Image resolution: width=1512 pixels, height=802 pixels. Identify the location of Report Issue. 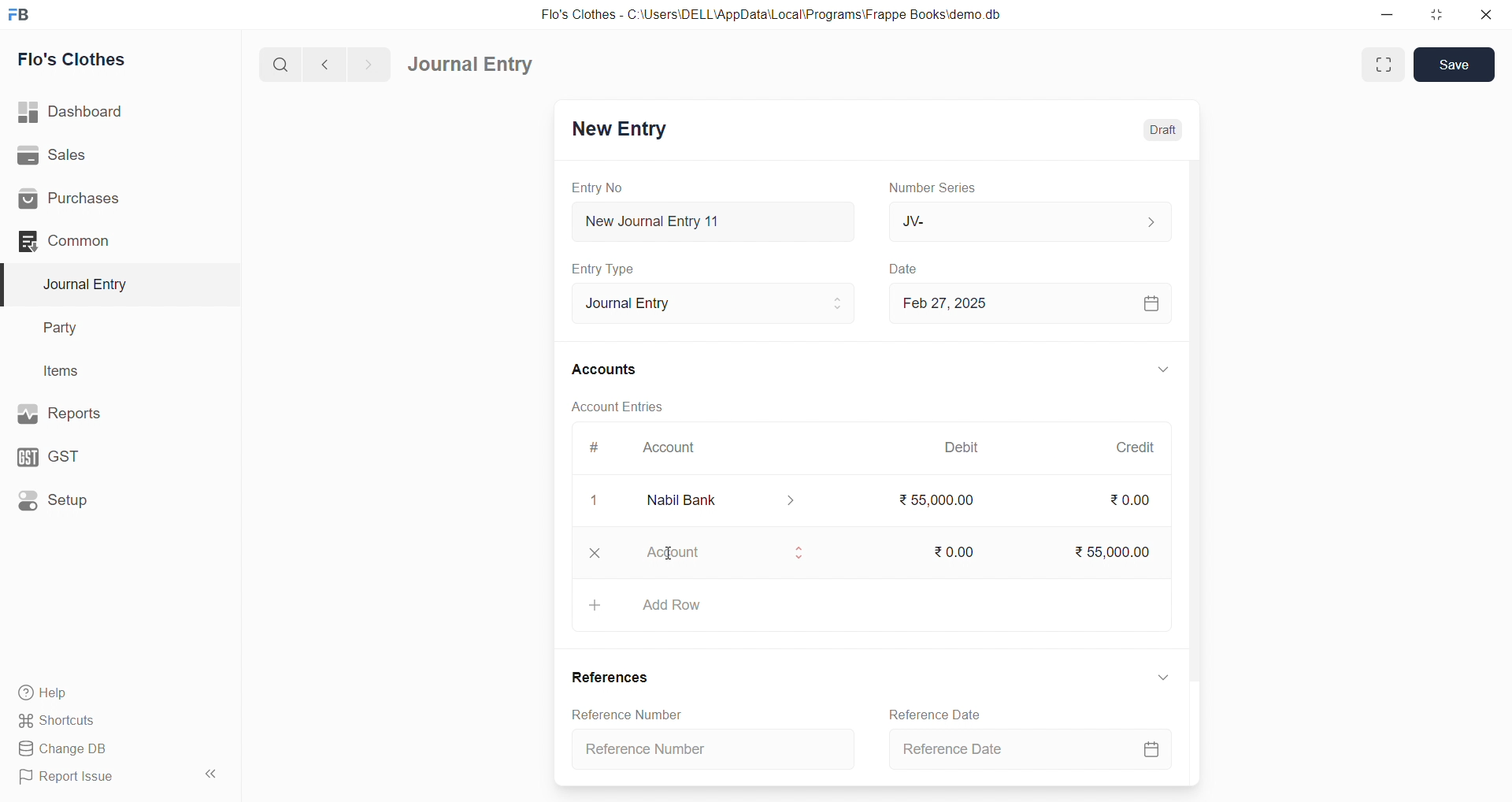
(94, 780).